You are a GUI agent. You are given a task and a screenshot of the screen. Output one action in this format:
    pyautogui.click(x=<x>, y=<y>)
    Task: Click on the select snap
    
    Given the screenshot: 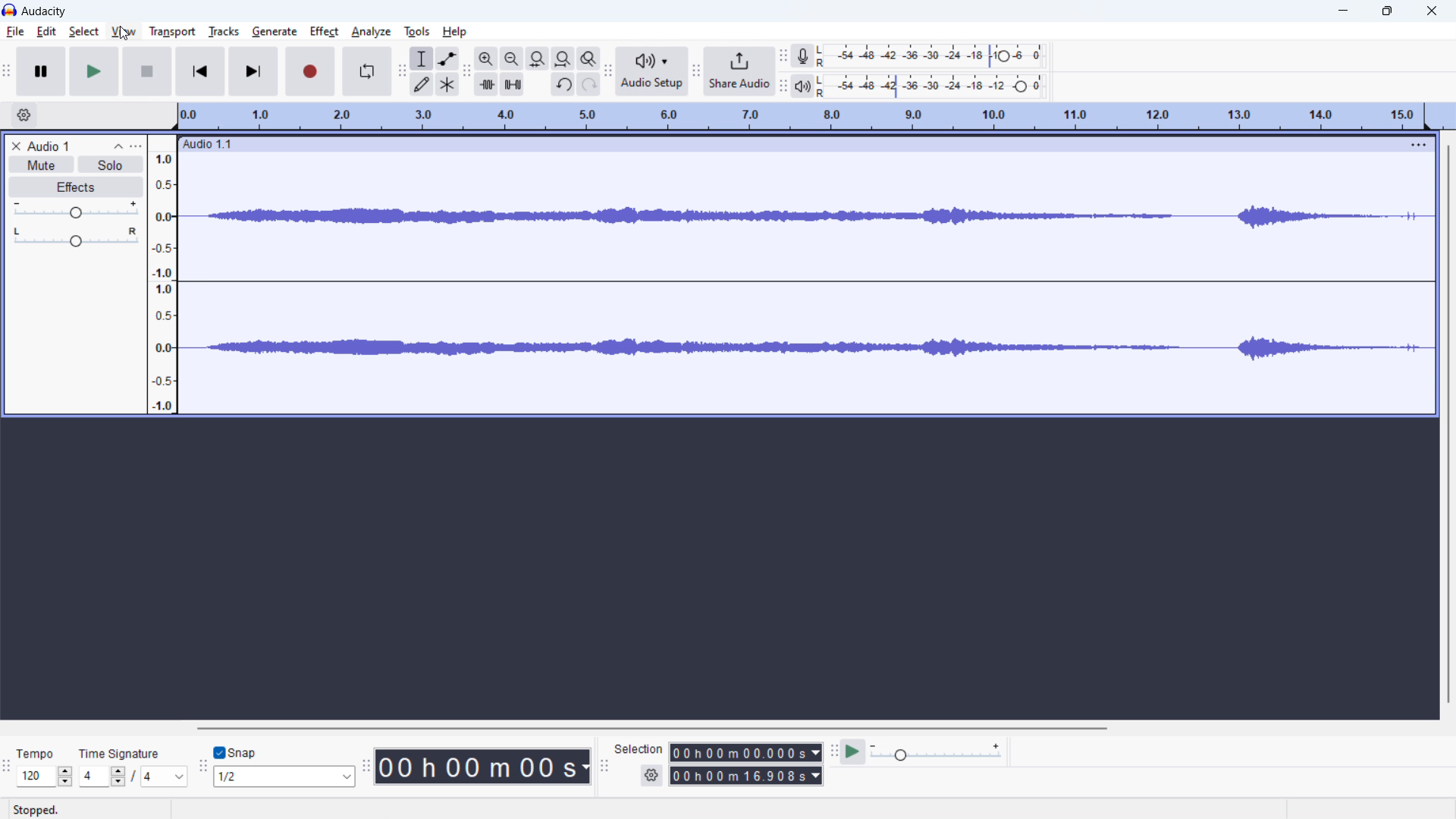 What is the action you would take?
    pyautogui.click(x=284, y=777)
    